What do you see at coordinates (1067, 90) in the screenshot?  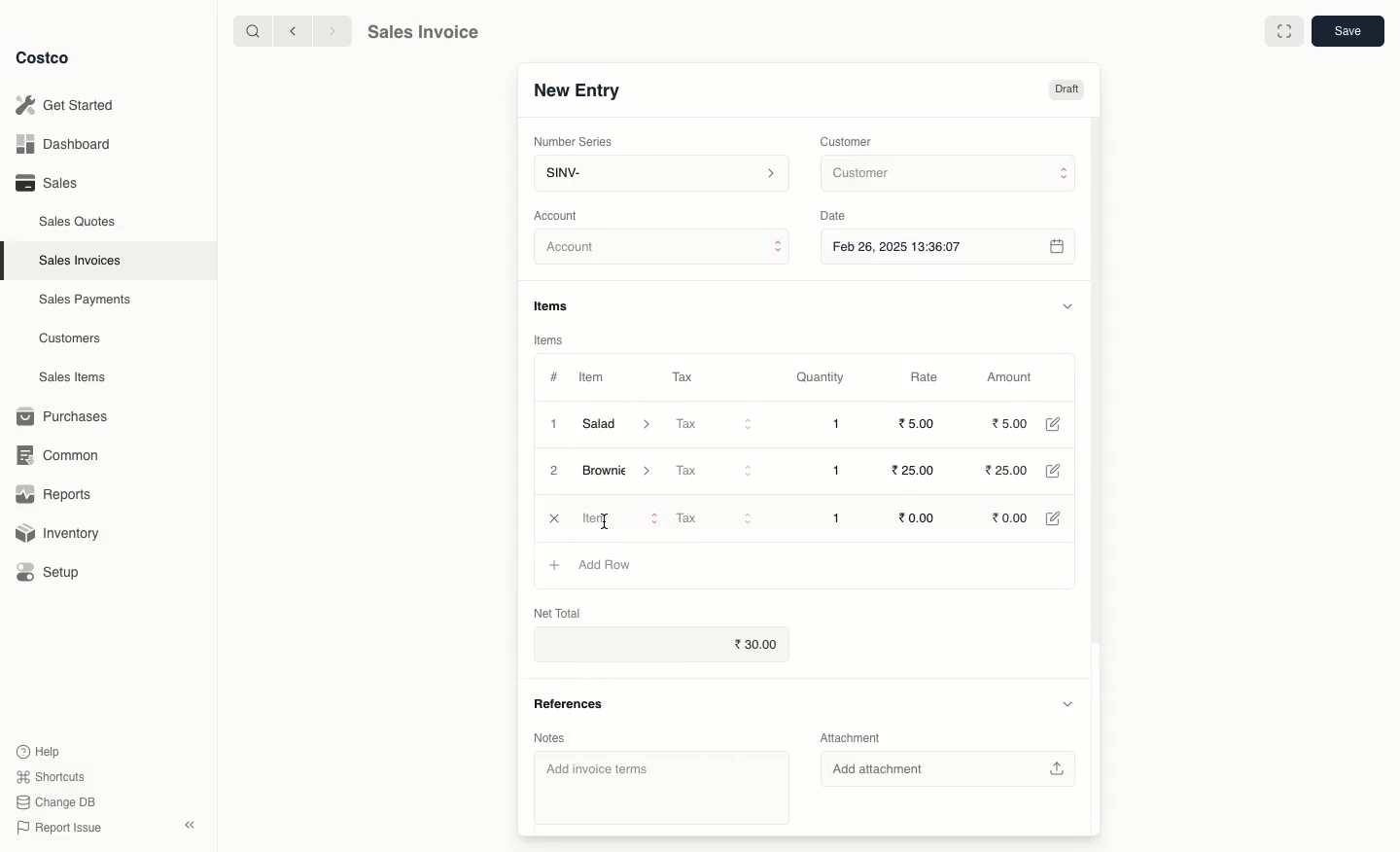 I see `Draft` at bounding box center [1067, 90].